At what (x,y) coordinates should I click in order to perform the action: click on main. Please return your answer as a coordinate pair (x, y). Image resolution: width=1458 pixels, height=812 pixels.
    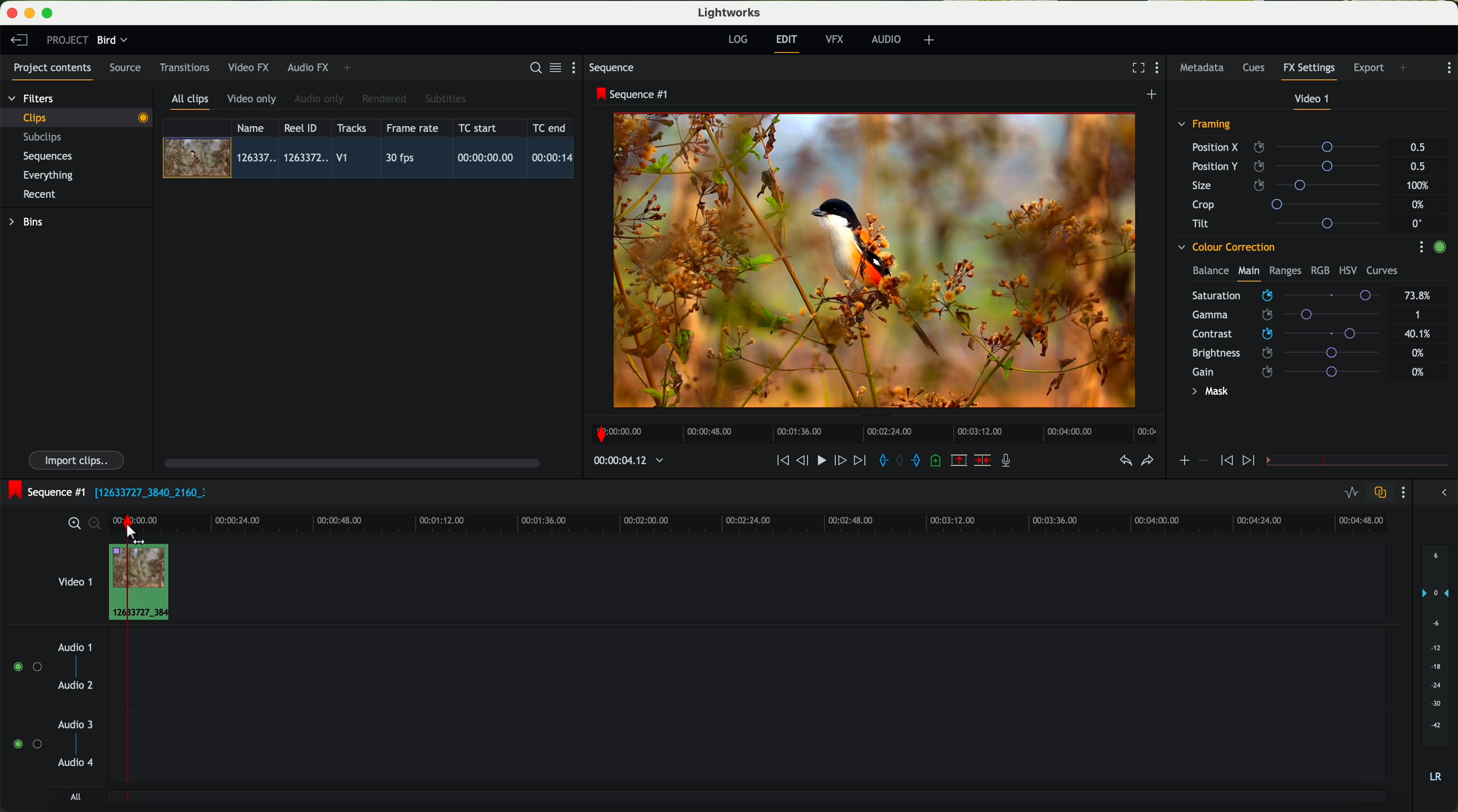
    Looking at the image, I should click on (1249, 273).